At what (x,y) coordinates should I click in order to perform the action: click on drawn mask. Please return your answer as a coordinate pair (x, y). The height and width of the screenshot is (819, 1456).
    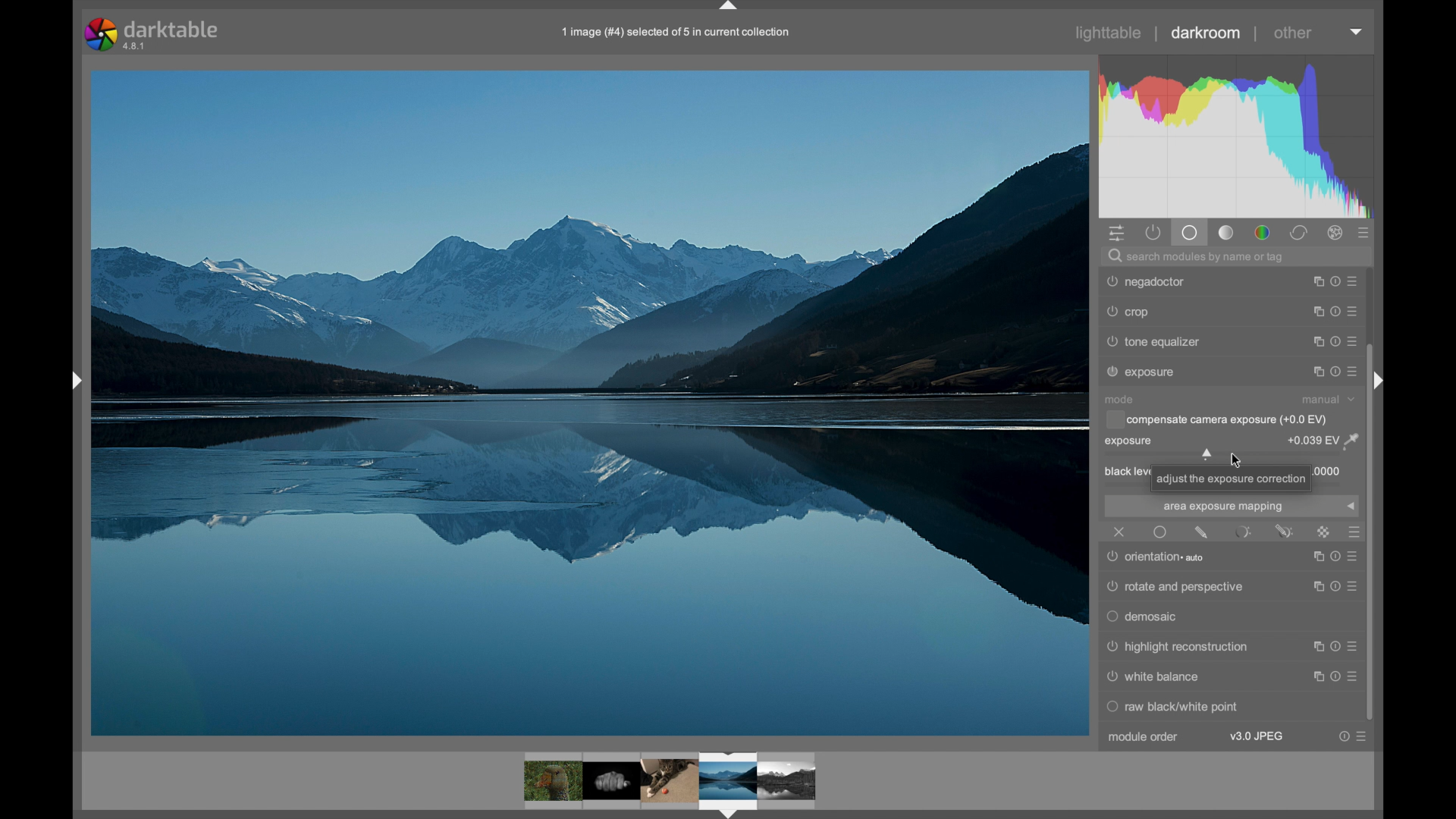
    Looking at the image, I should click on (1201, 532).